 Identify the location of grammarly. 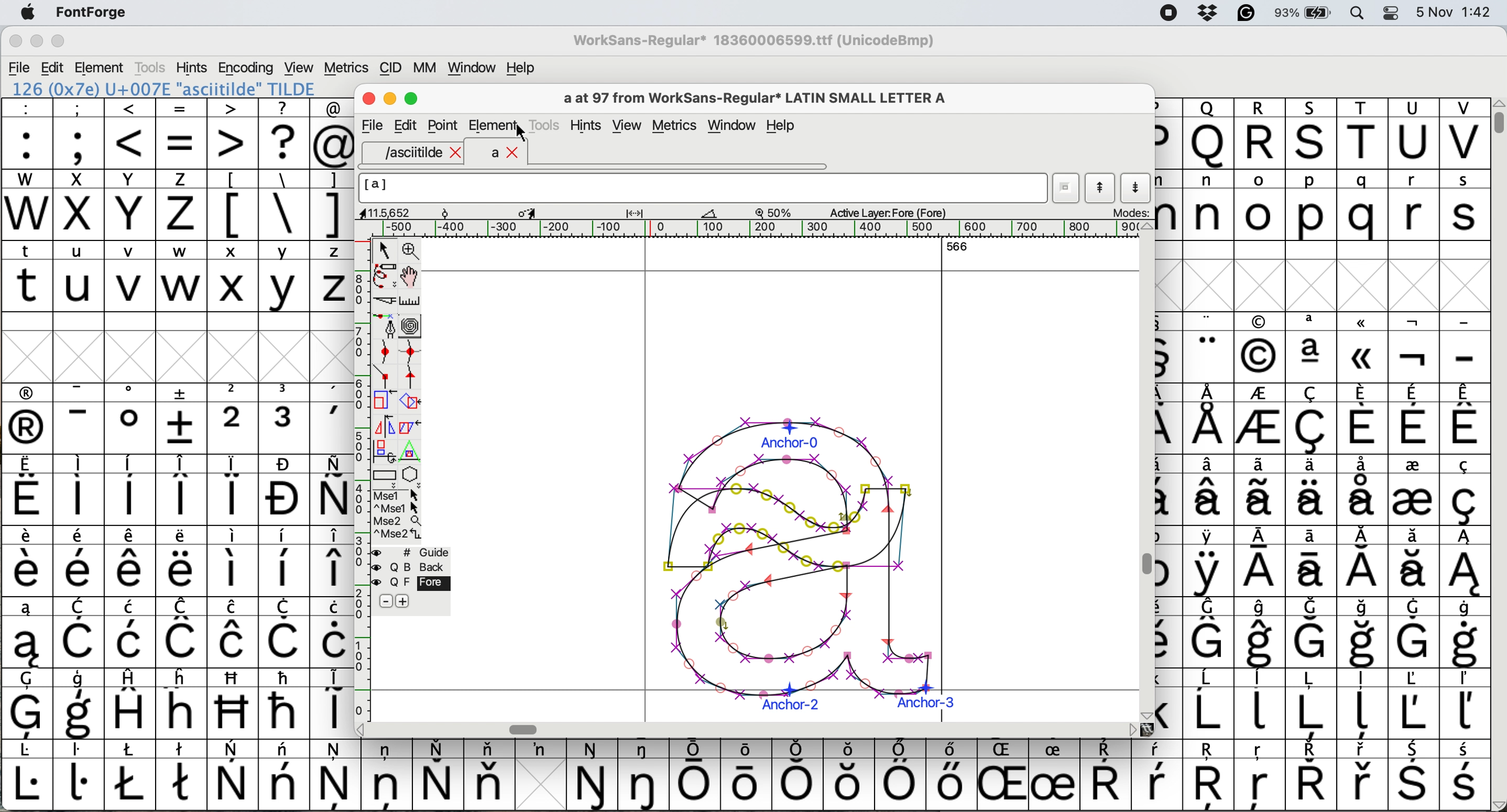
(1245, 15).